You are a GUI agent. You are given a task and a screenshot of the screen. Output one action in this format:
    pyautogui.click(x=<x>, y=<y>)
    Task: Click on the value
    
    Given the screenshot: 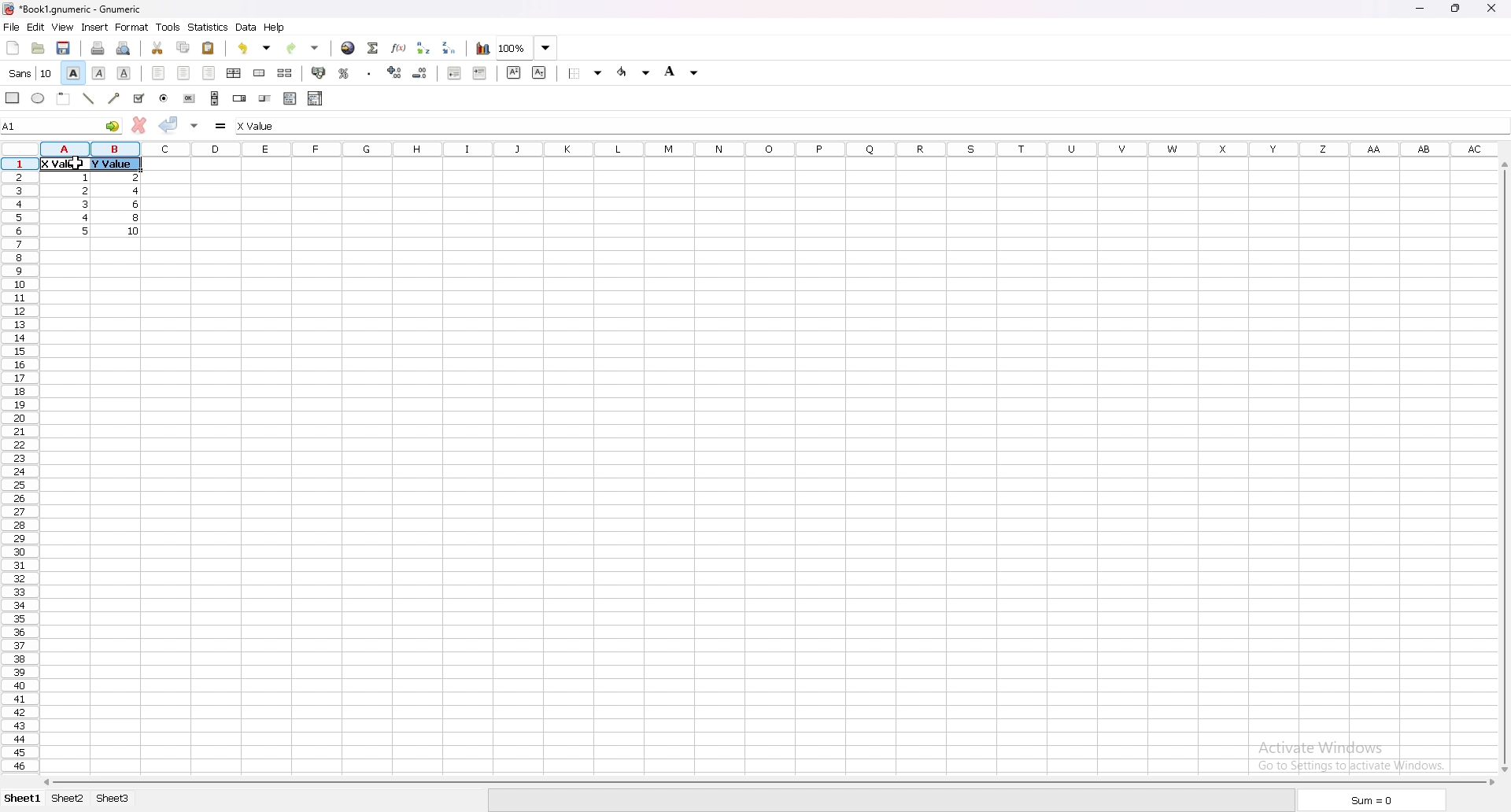 What is the action you would take?
    pyautogui.click(x=87, y=217)
    